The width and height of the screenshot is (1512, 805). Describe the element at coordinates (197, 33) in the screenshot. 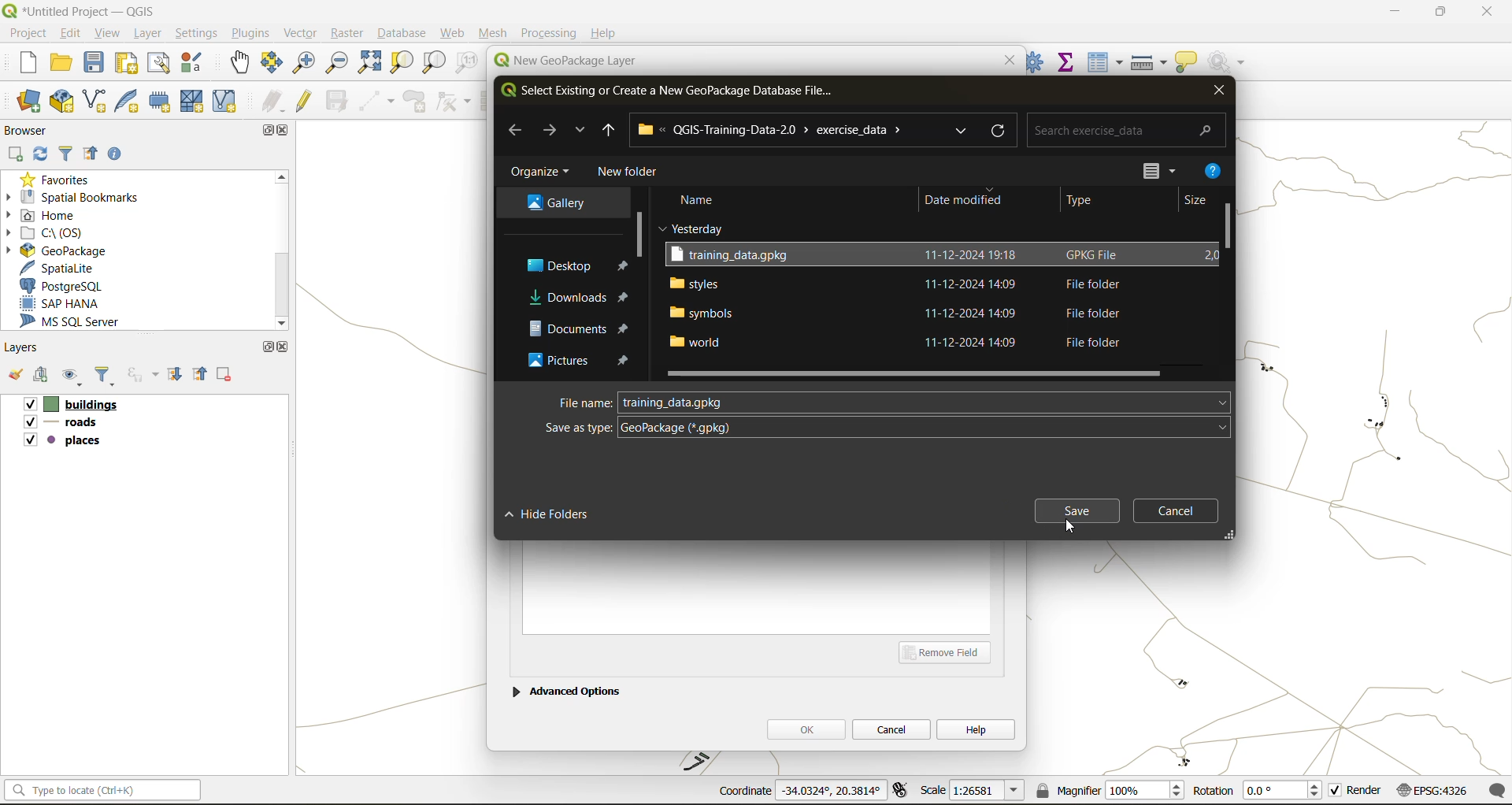

I see `settings` at that location.